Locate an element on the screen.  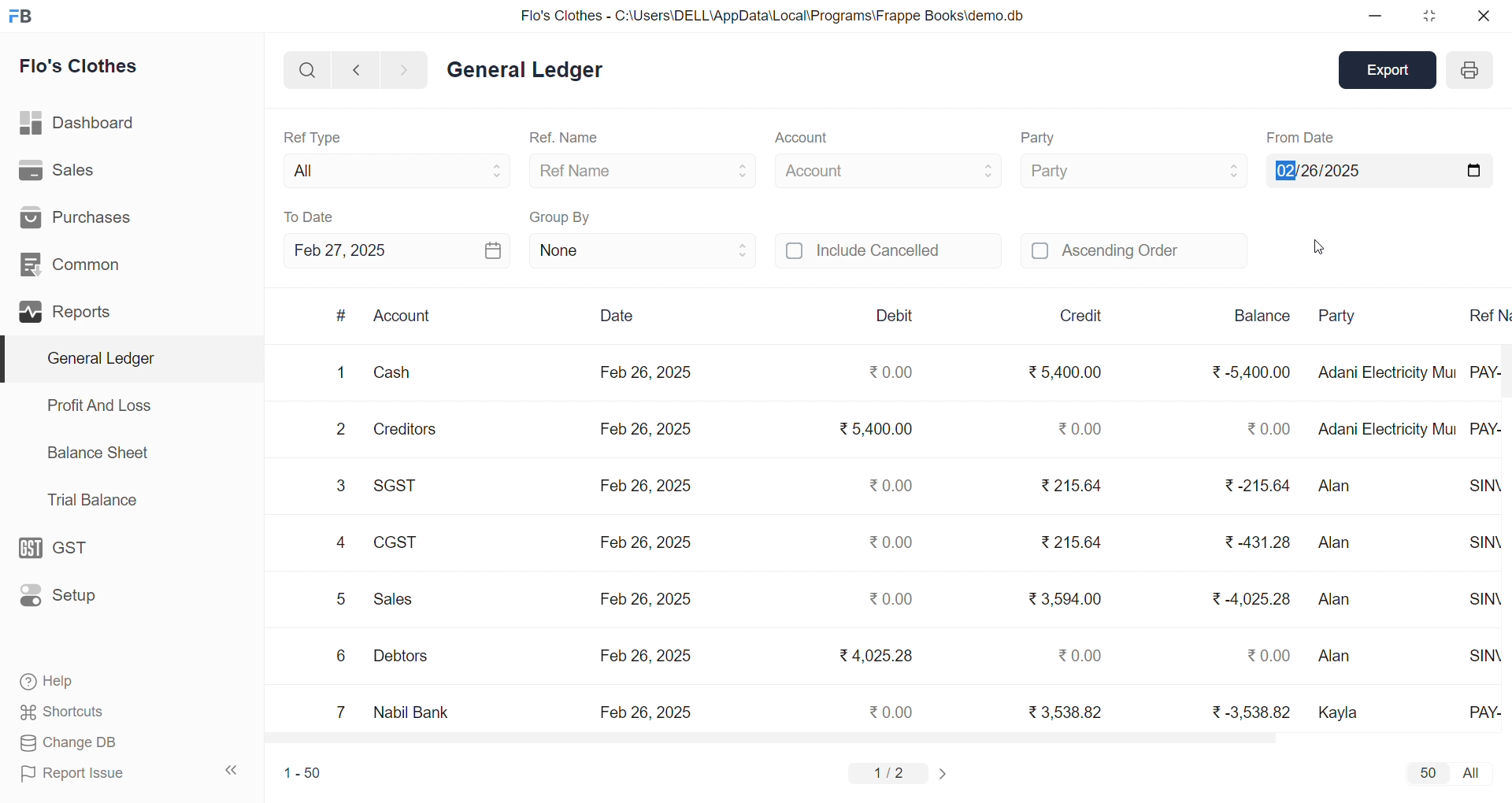
1 is located at coordinates (336, 372).